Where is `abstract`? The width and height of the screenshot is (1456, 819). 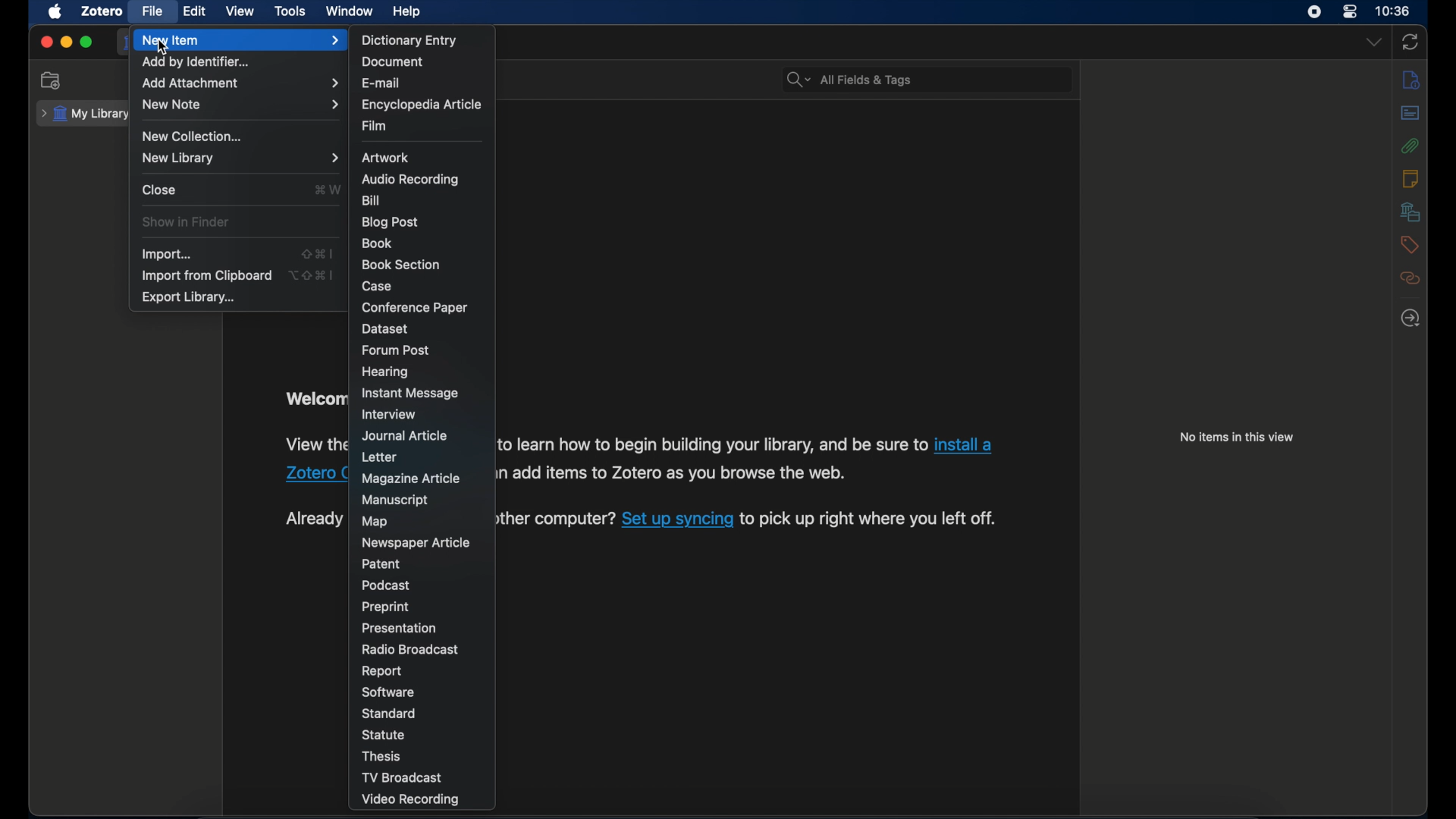
abstract is located at coordinates (1411, 113).